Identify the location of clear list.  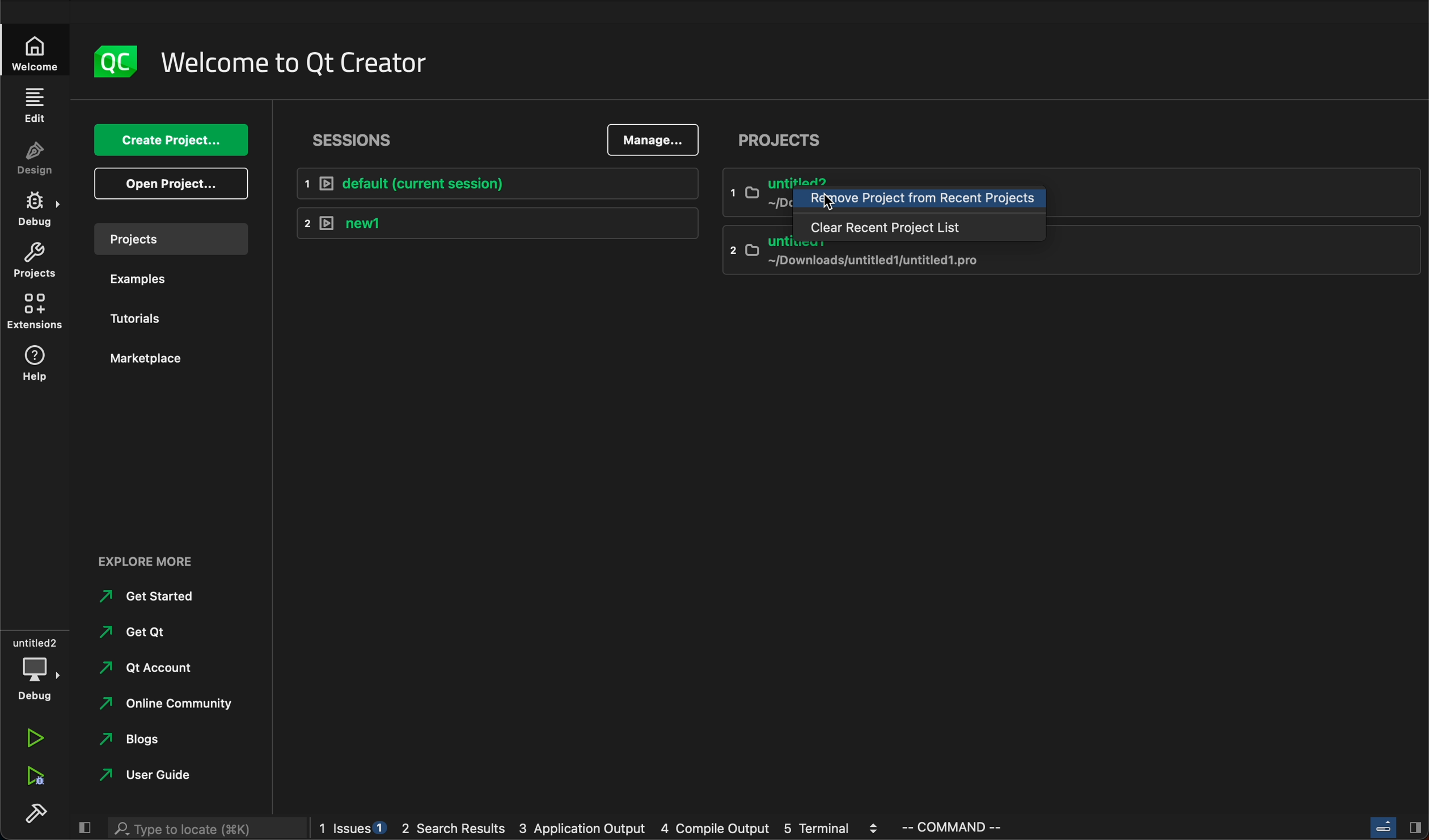
(920, 230).